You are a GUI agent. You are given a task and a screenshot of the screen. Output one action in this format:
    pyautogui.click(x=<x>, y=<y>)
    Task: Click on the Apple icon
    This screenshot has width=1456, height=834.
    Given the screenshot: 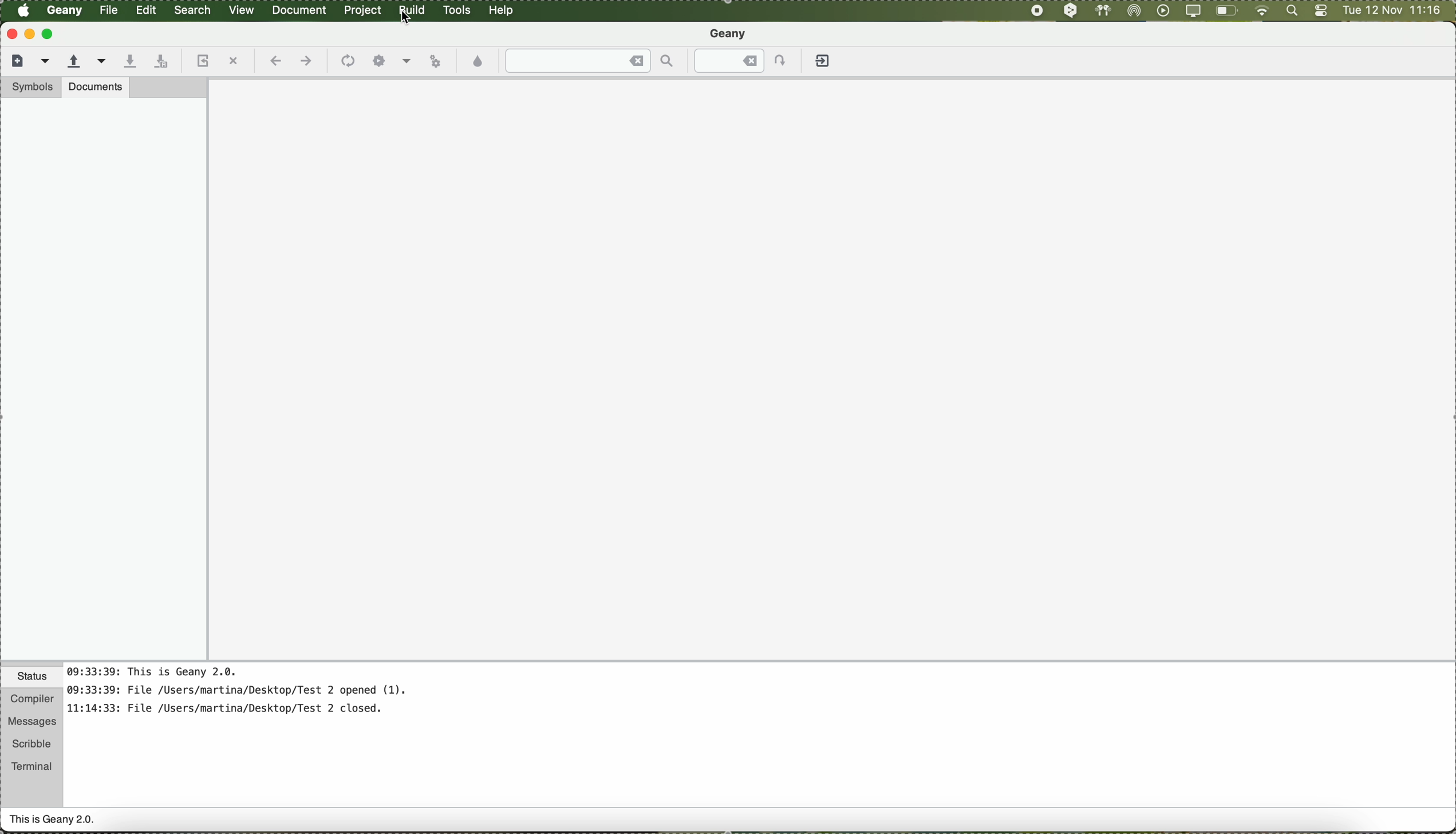 What is the action you would take?
    pyautogui.click(x=23, y=10)
    